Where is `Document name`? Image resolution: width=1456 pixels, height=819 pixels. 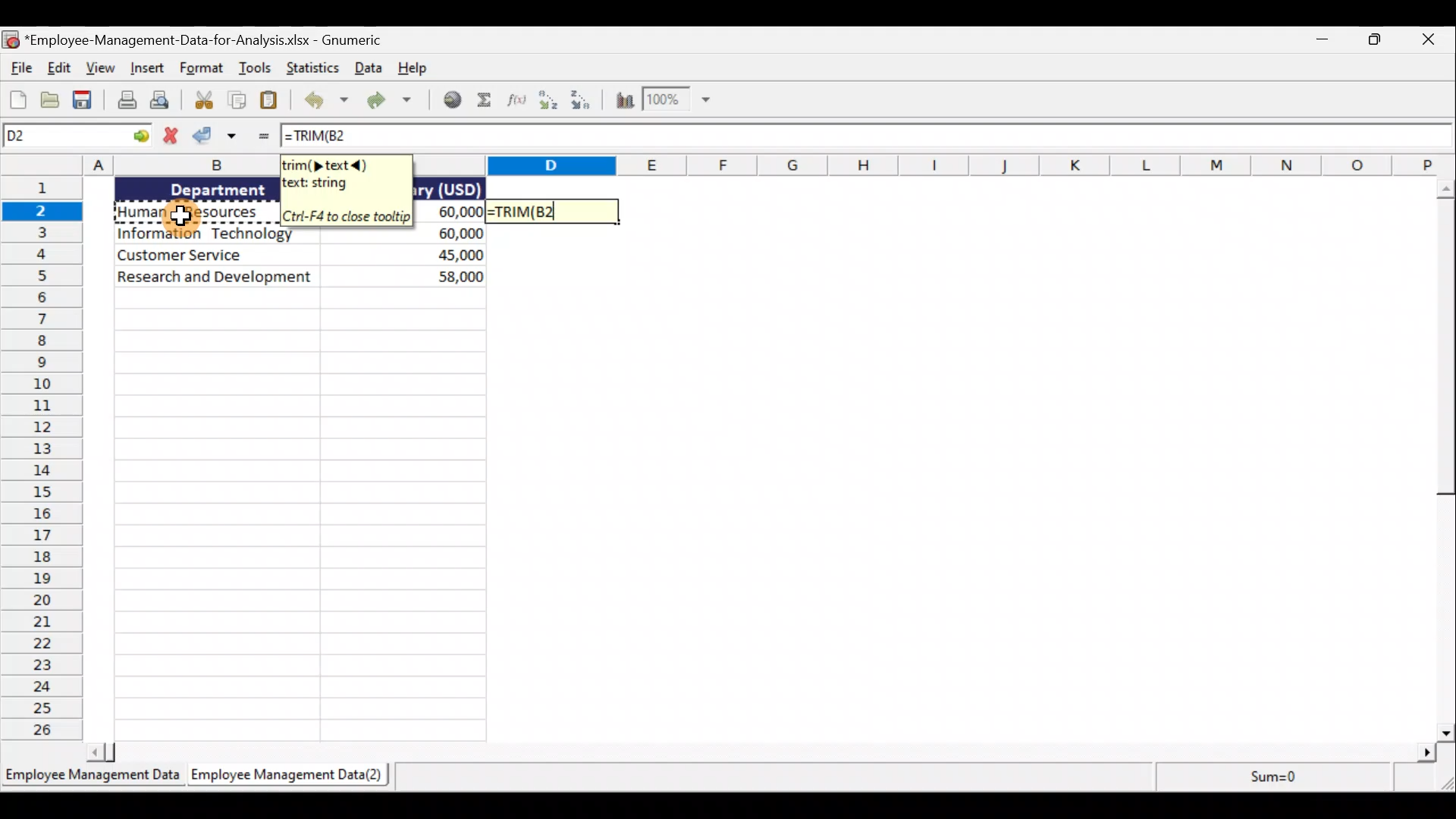 Document name is located at coordinates (219, 37).